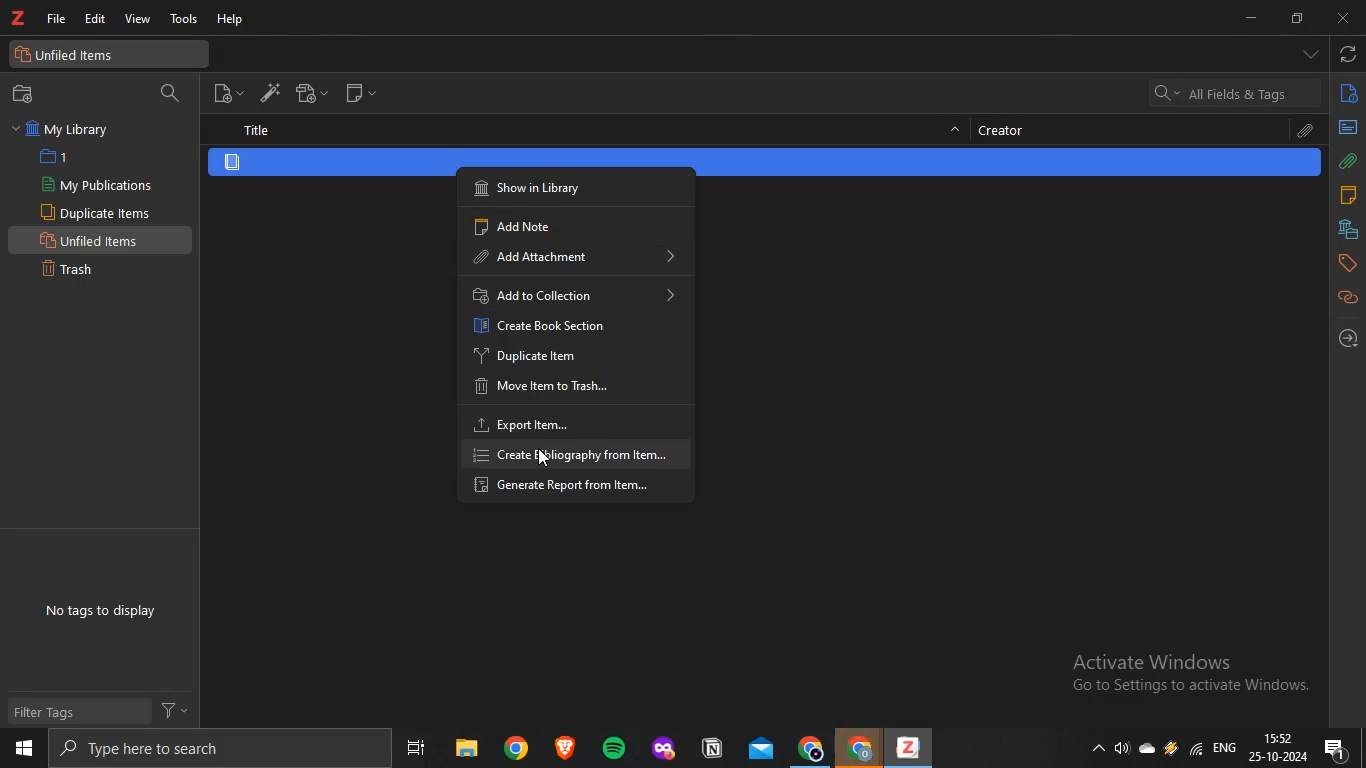 This screenshot has height=768, width=1366. I want to click on restore down, so click(1297, 20).